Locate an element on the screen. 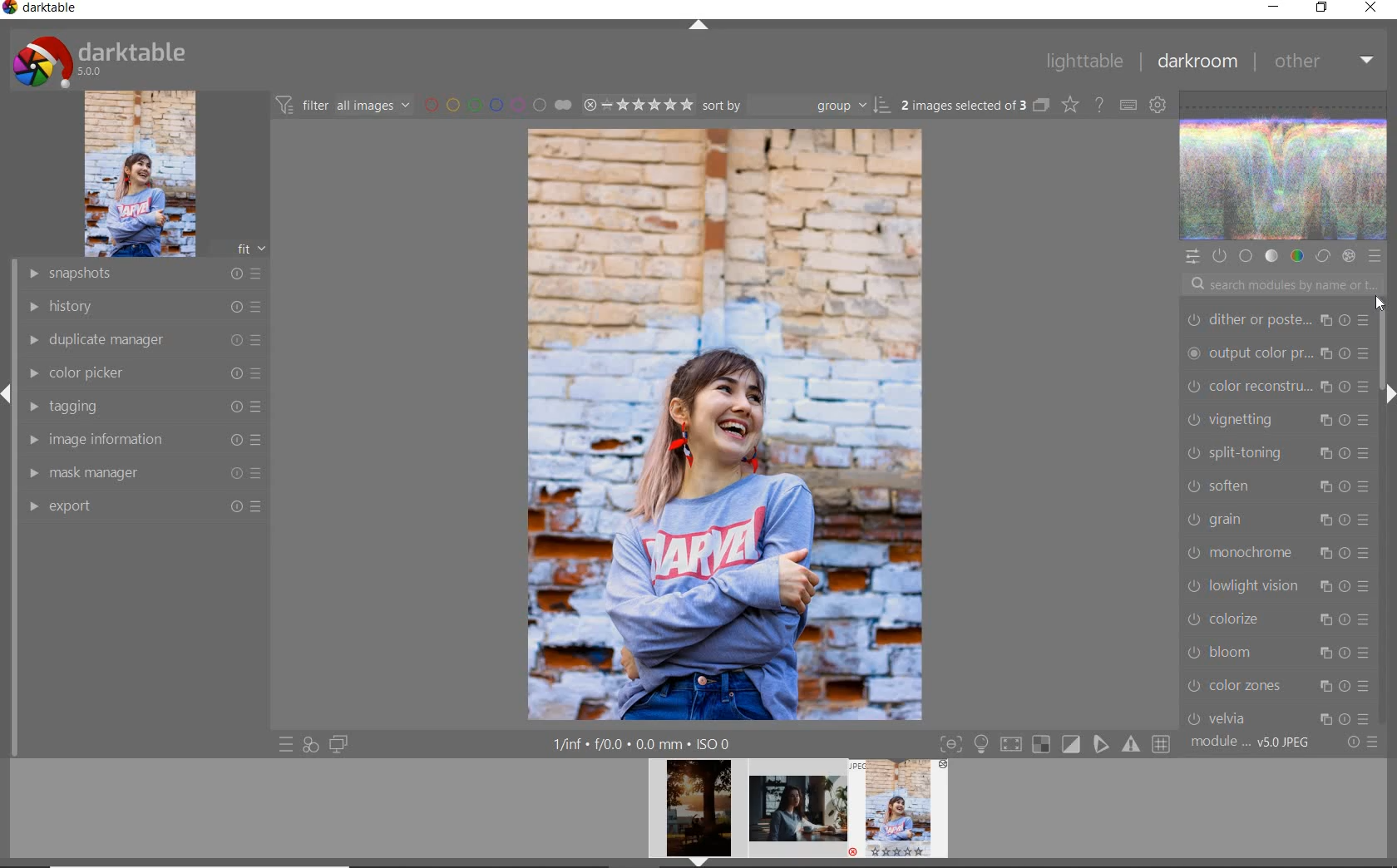  system logo and name is located at coordinates (102, 59).